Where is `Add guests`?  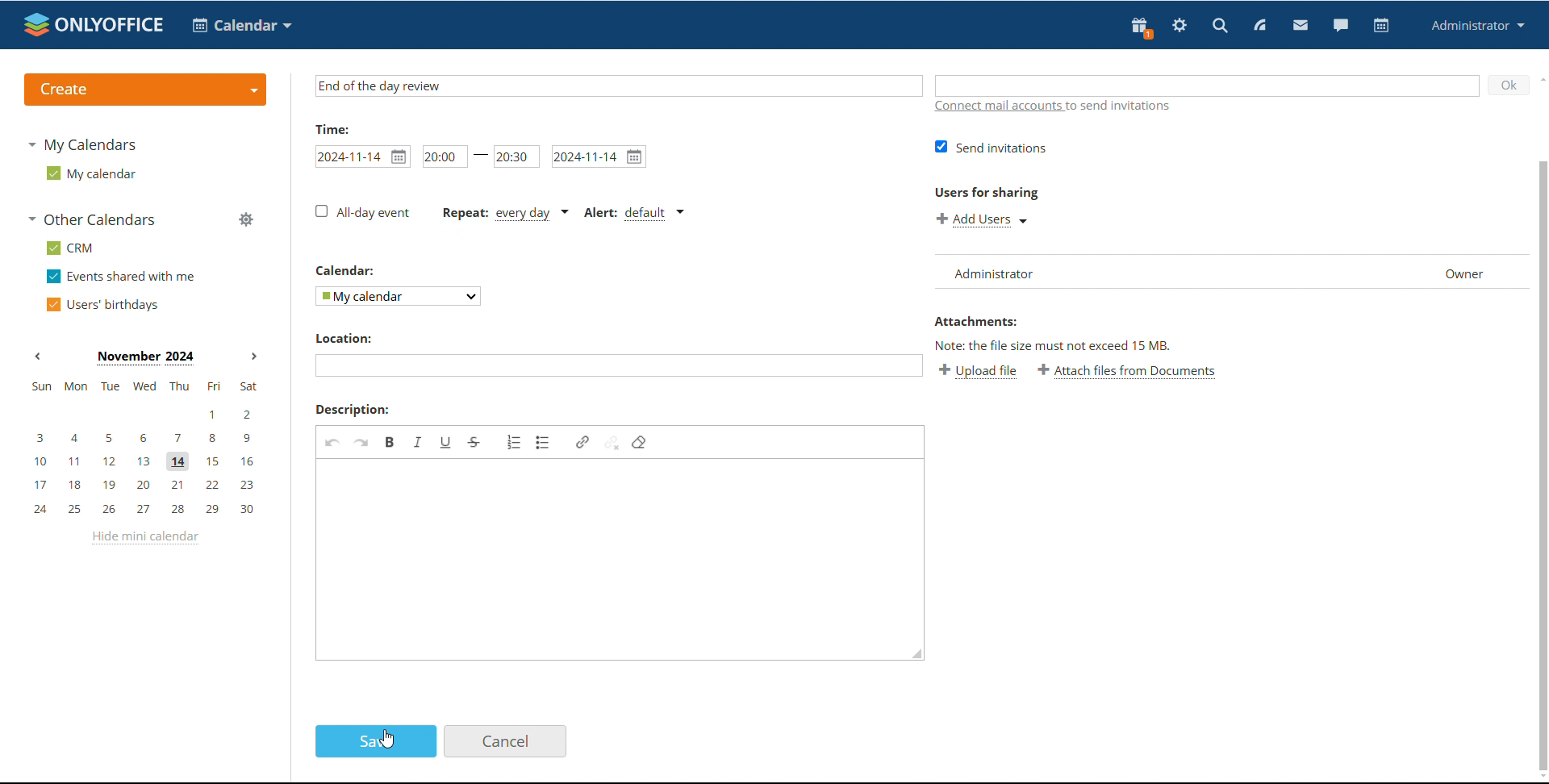 Add guests is located at coordinates (1210, 85).